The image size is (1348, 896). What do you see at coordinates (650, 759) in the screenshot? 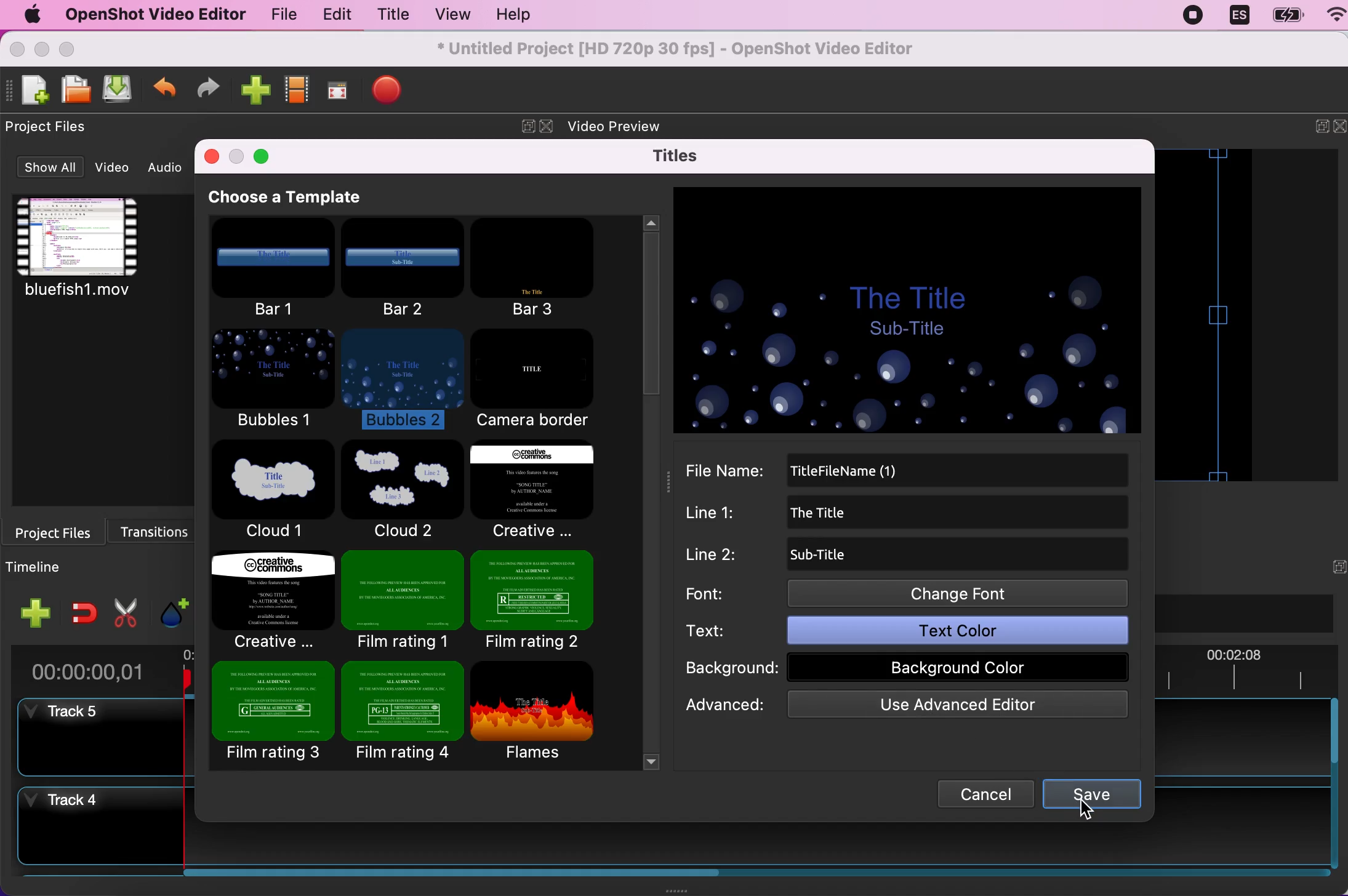
I see `move down` at bounding box center [650, 759].